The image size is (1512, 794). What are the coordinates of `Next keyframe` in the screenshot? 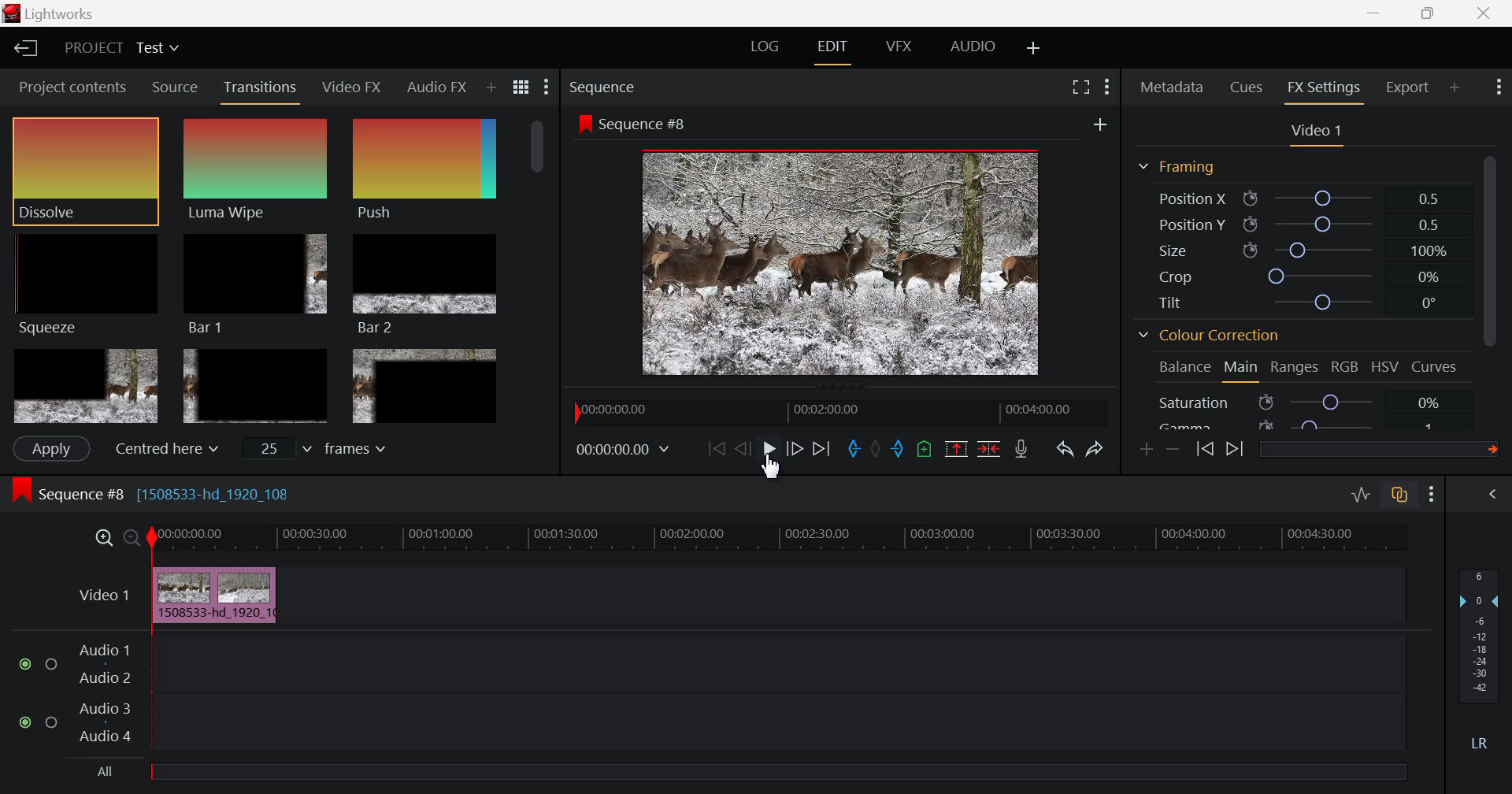 It's located at (1235, 451).